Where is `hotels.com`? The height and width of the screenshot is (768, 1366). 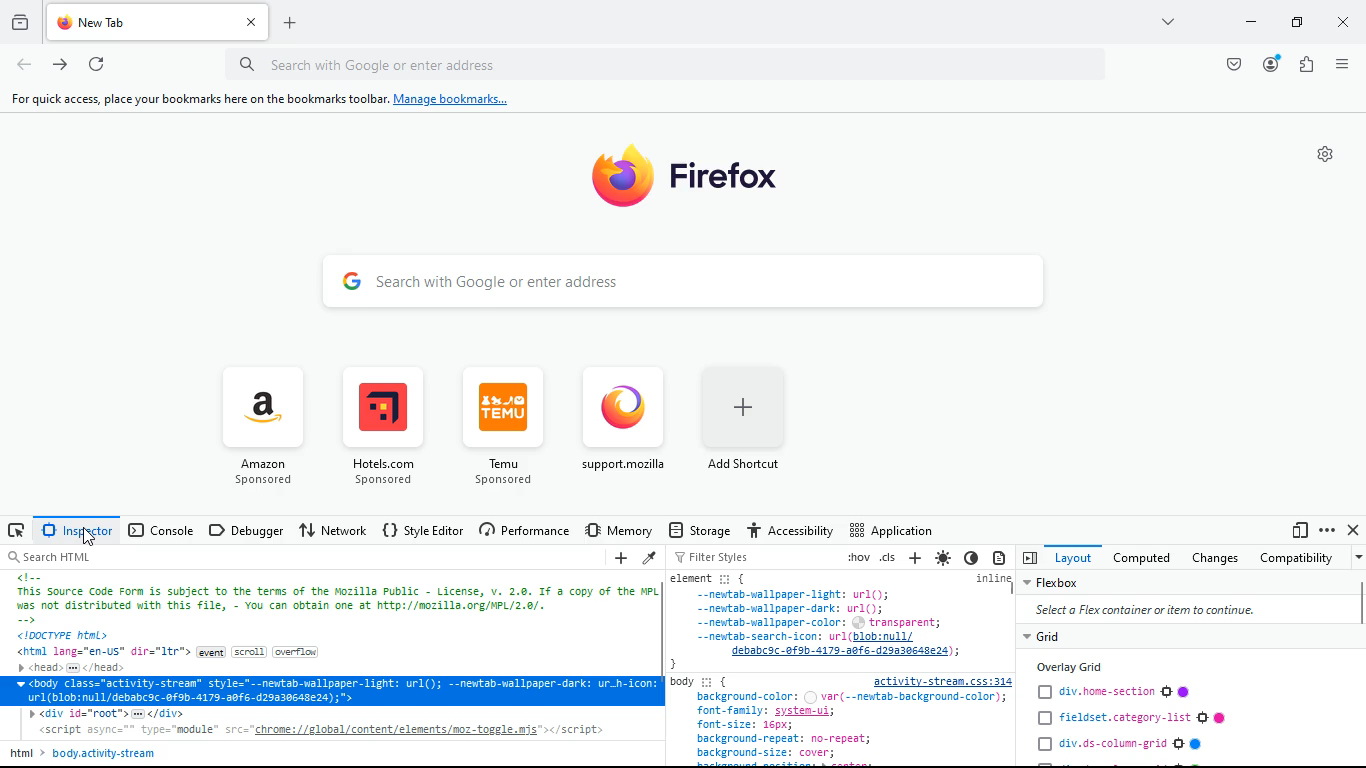
hotels.com is located at coordinates (393, 429).